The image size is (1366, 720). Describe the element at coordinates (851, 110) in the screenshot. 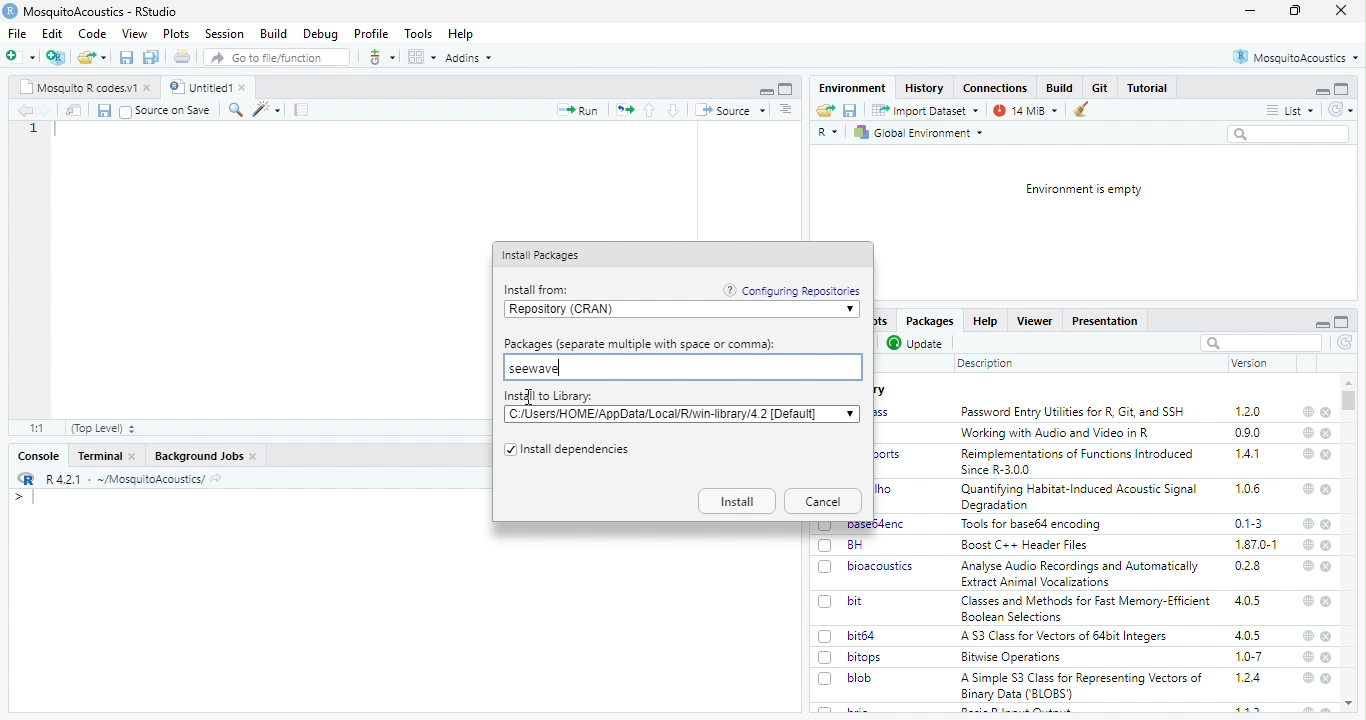

I see `save` at that location.